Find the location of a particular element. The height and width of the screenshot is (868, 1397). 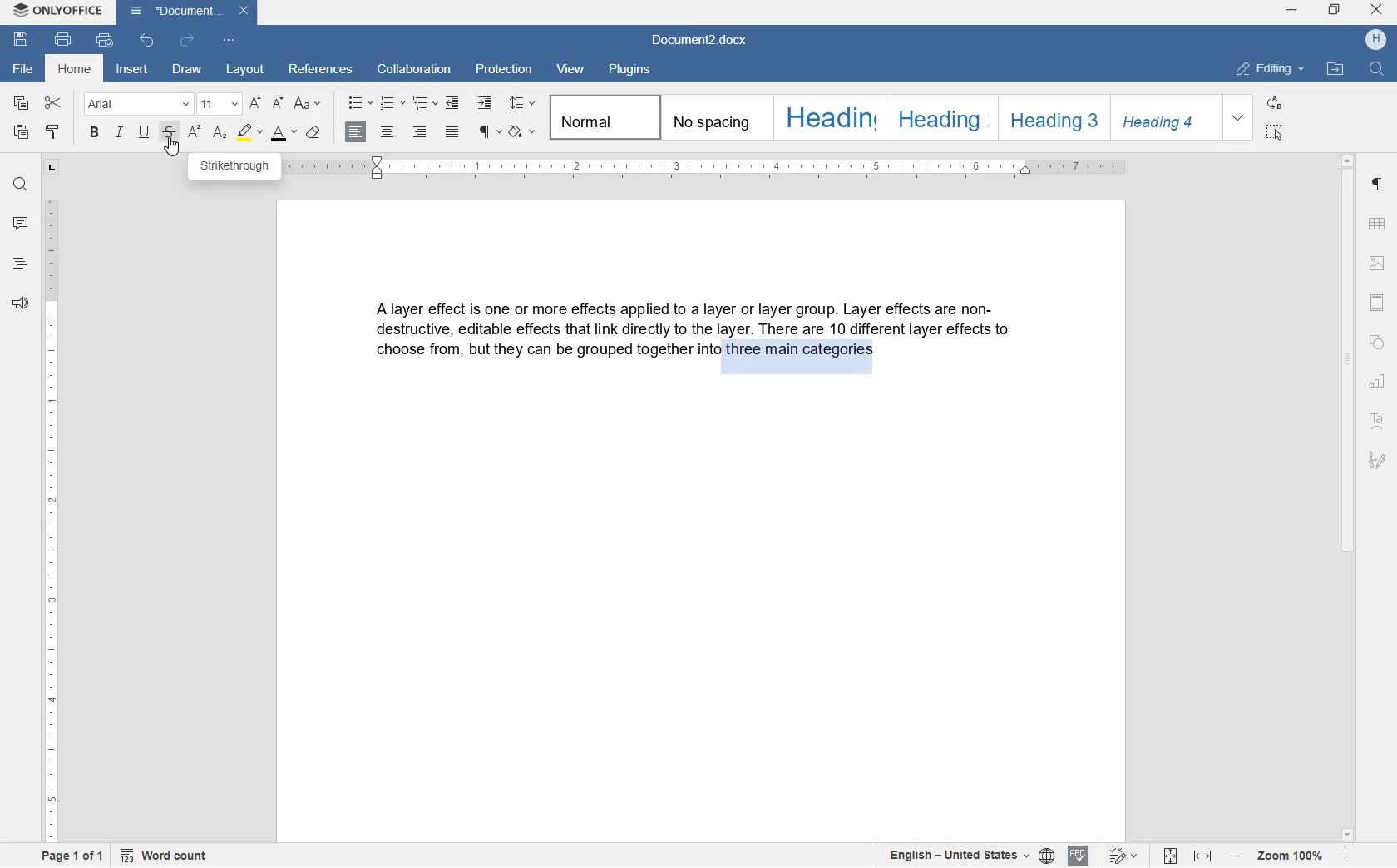

image is located at coordinates (1378, 264).